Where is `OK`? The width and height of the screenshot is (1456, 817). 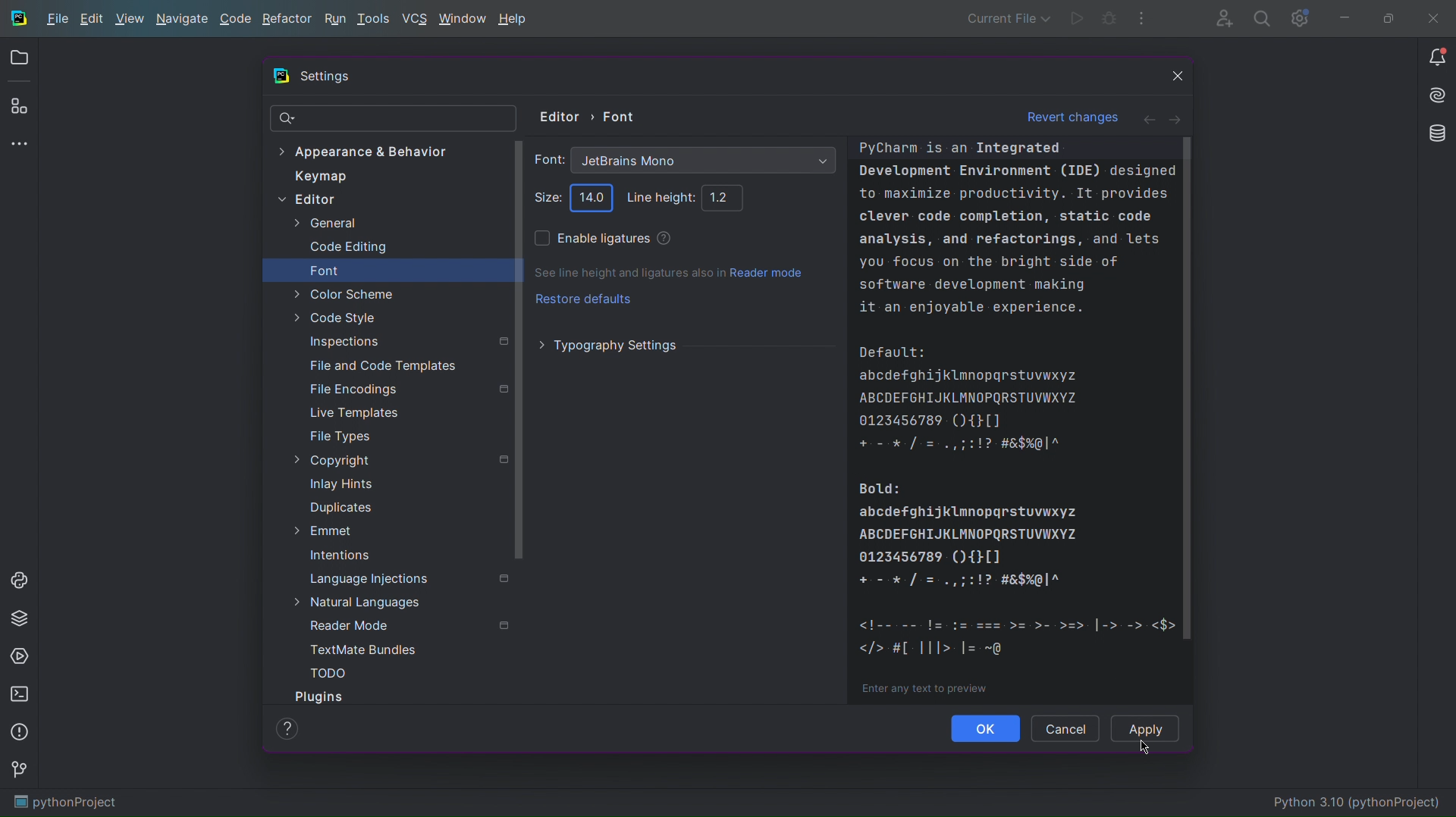
OK is located at coordinates (987, 728).